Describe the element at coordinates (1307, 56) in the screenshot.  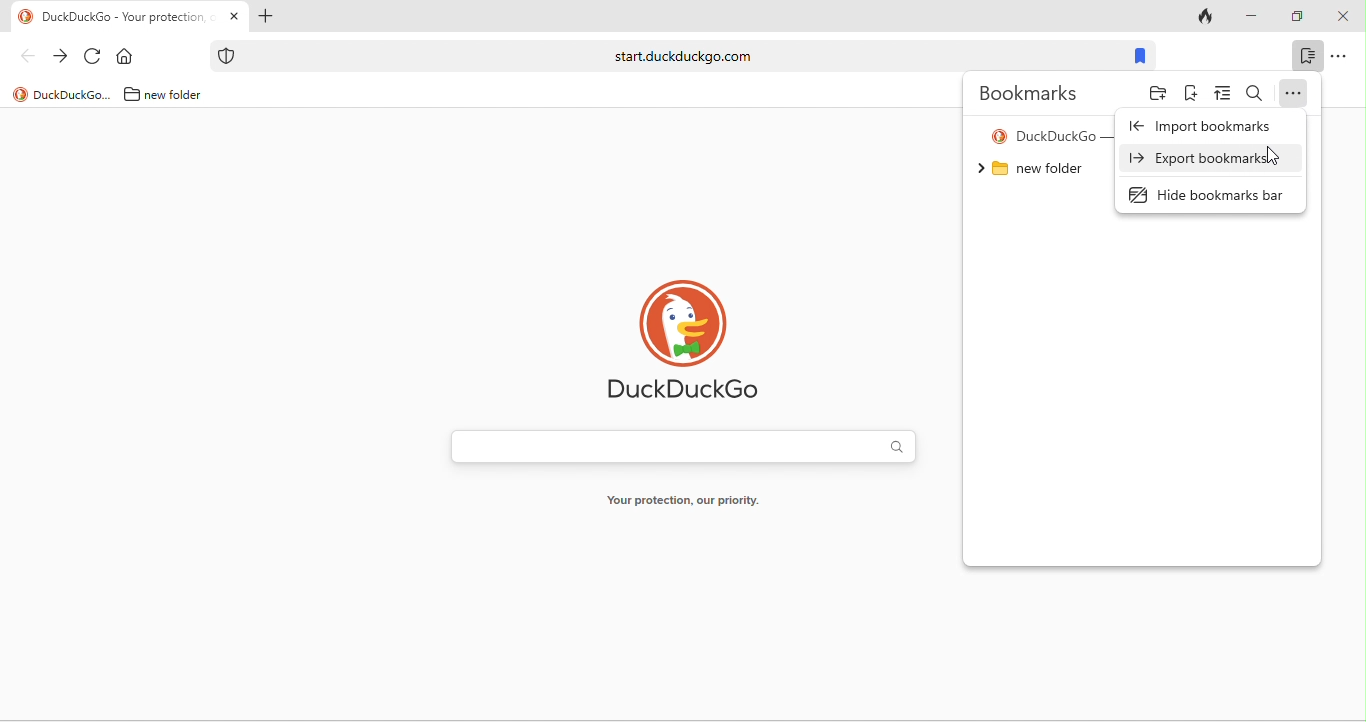
I see `bookmark` at that location.